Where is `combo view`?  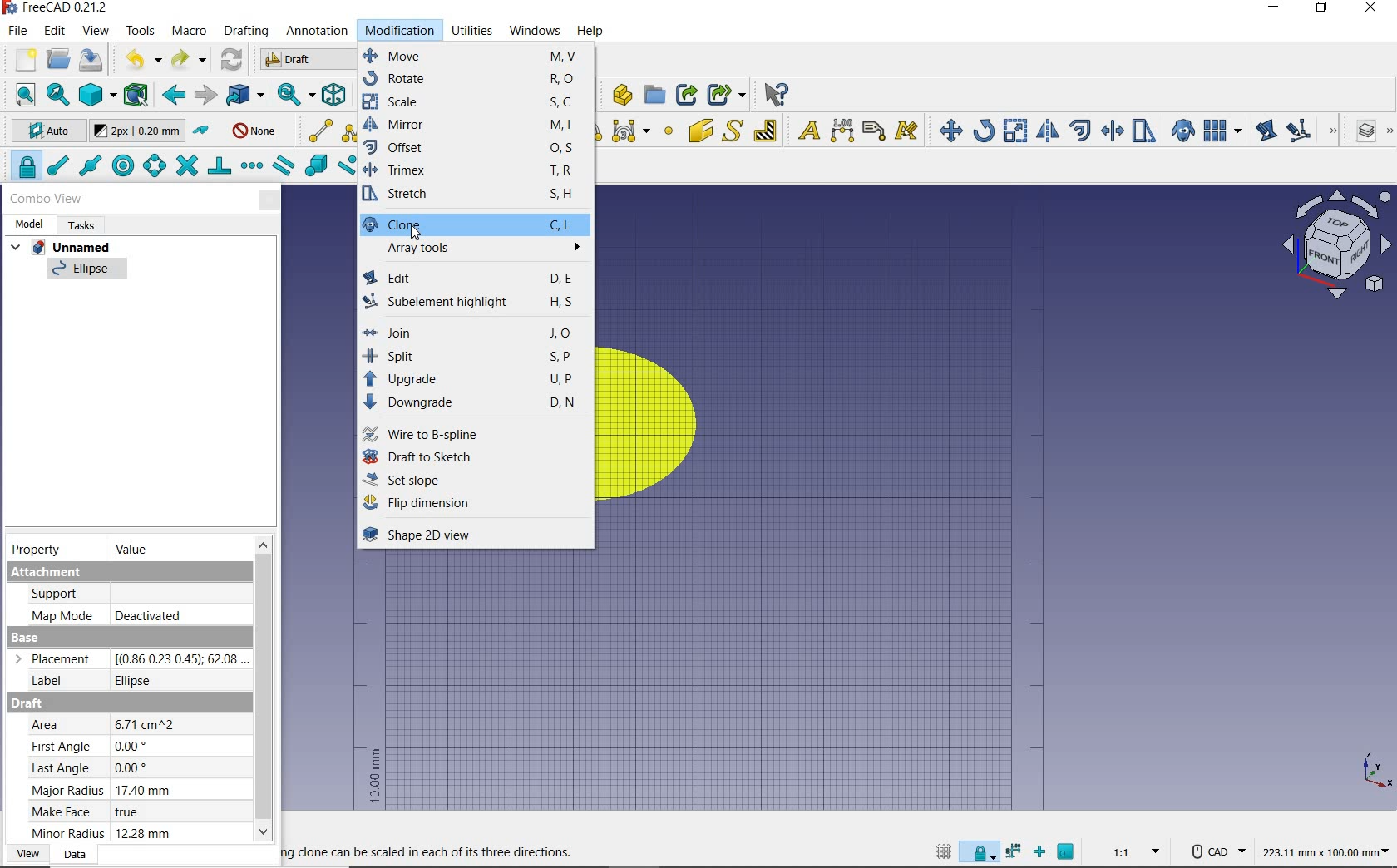
combo view is located at coordinates (45, 199).